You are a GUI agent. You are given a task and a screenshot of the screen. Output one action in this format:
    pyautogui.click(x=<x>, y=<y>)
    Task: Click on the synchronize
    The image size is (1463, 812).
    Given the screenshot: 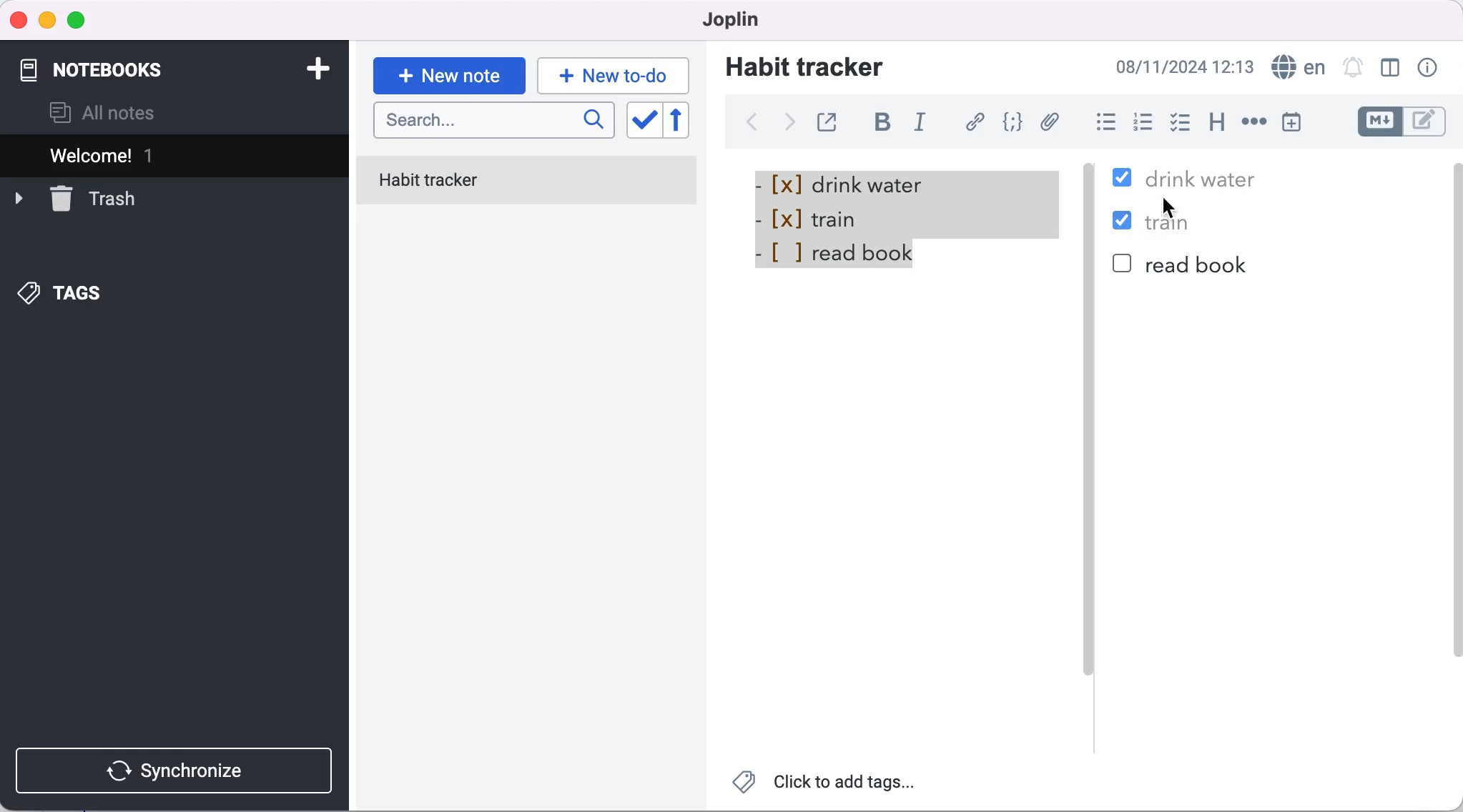 What is the action you would take?
    pyautogui.click(x=177, y=771)
    